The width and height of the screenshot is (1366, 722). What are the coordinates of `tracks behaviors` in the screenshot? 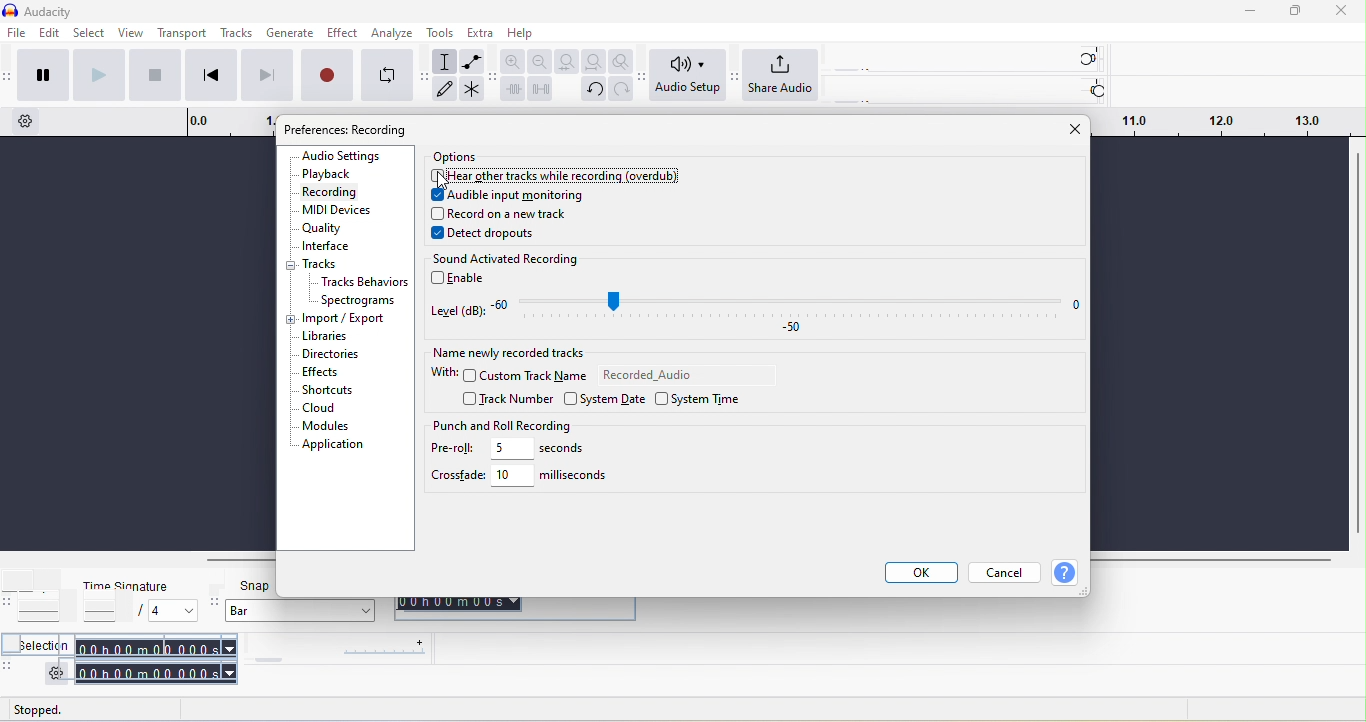 It's located at (357, 282).